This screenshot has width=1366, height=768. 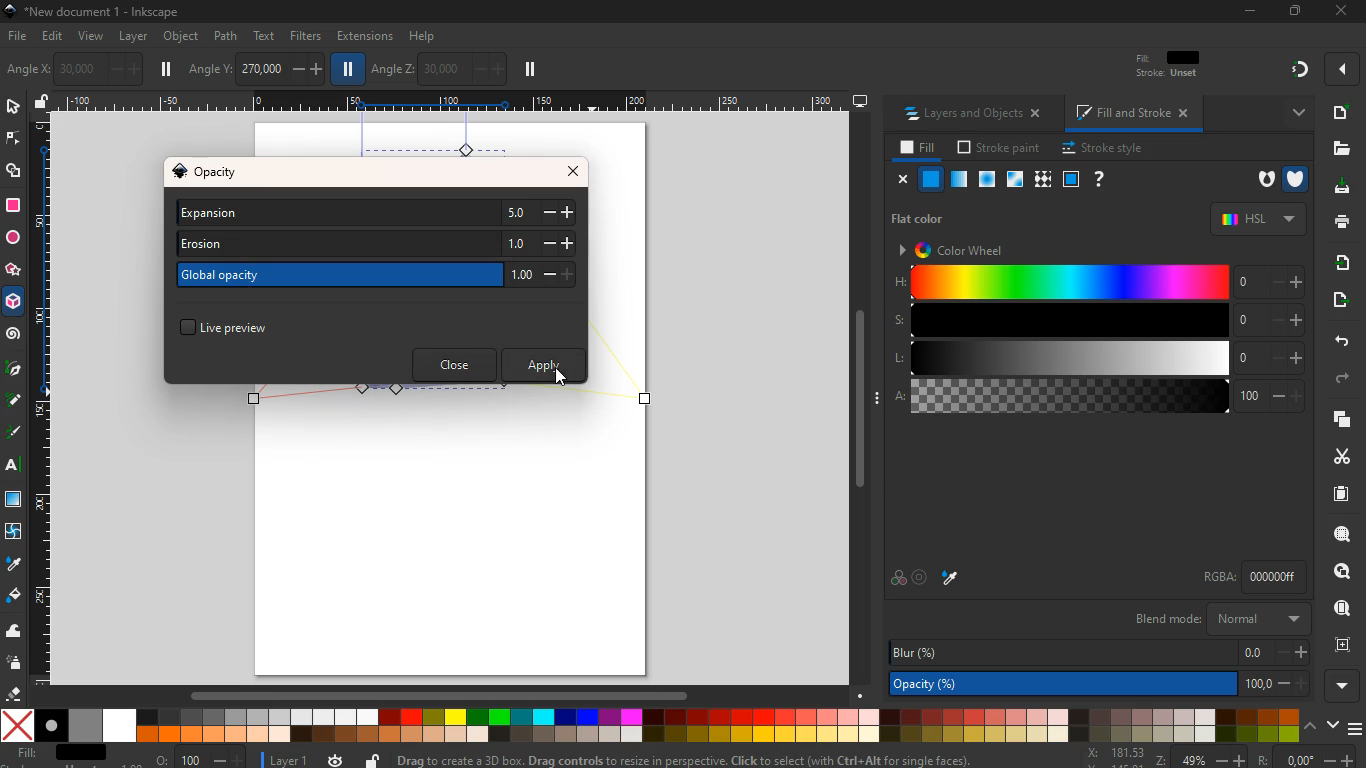 I want to click on inkscape, so click(x=108, y=12).